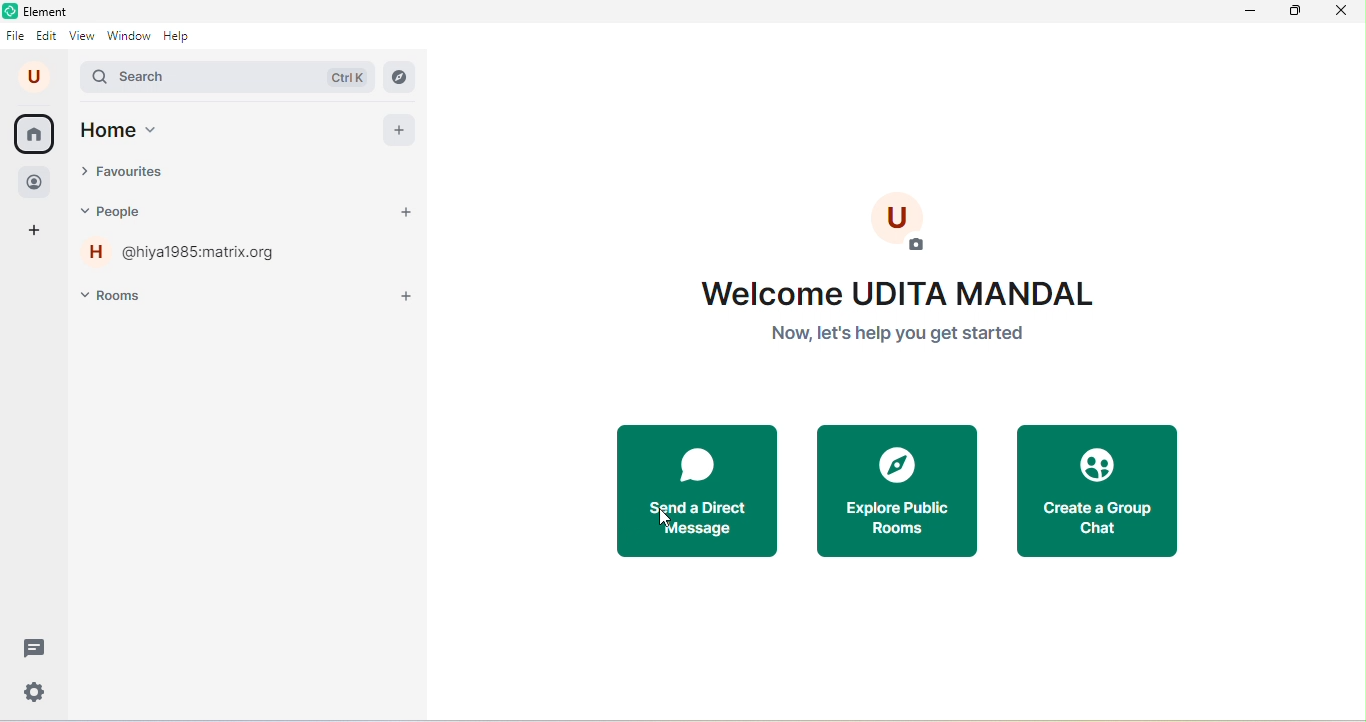 The image size is (1366, 722). What do you see at coordinates (123, 294) in the screenshot?
I see `rooms` at bounding box center [123, 294].